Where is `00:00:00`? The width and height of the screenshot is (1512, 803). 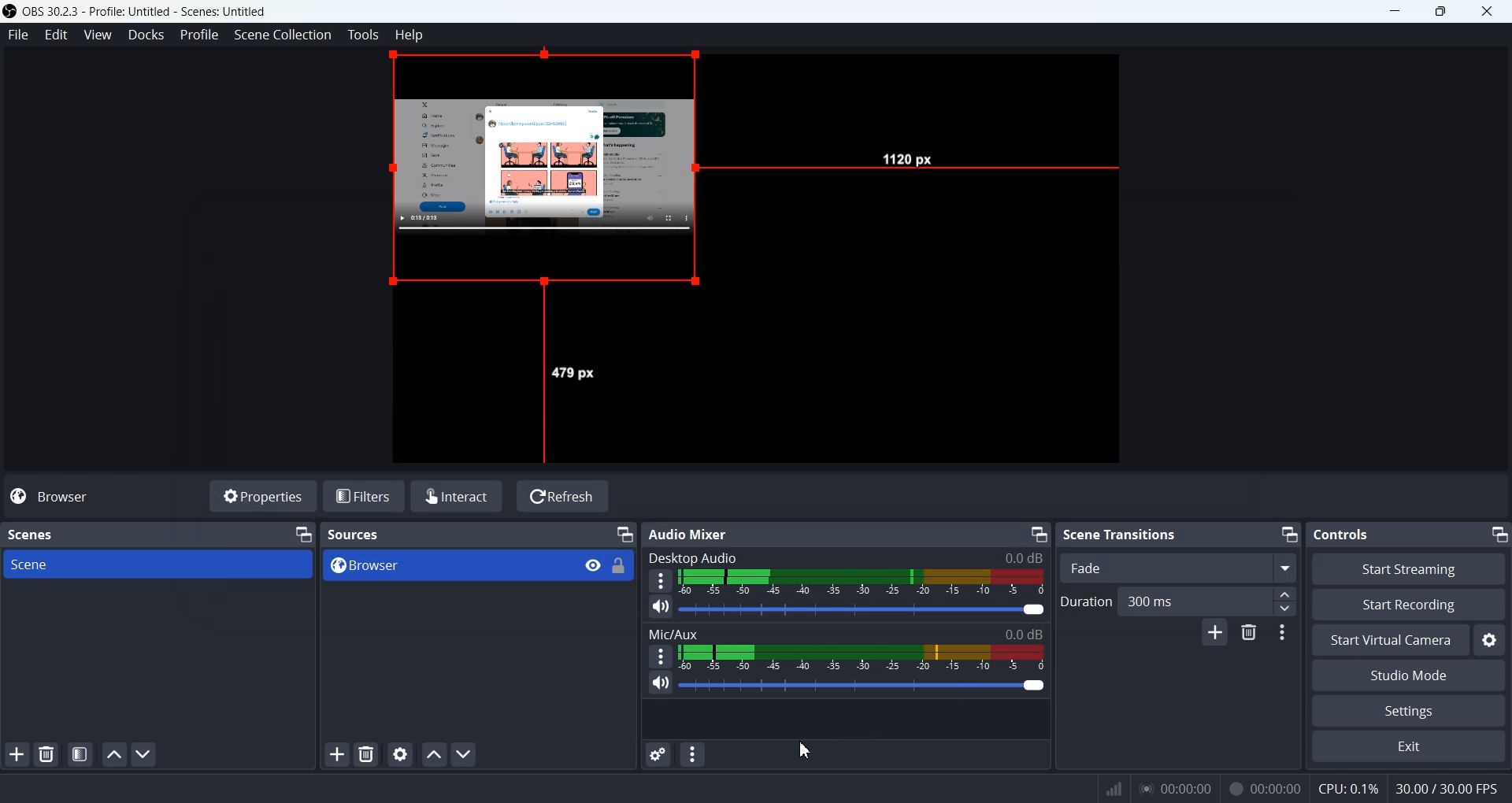
00:00:00 is located at coordinates (1176, 787).